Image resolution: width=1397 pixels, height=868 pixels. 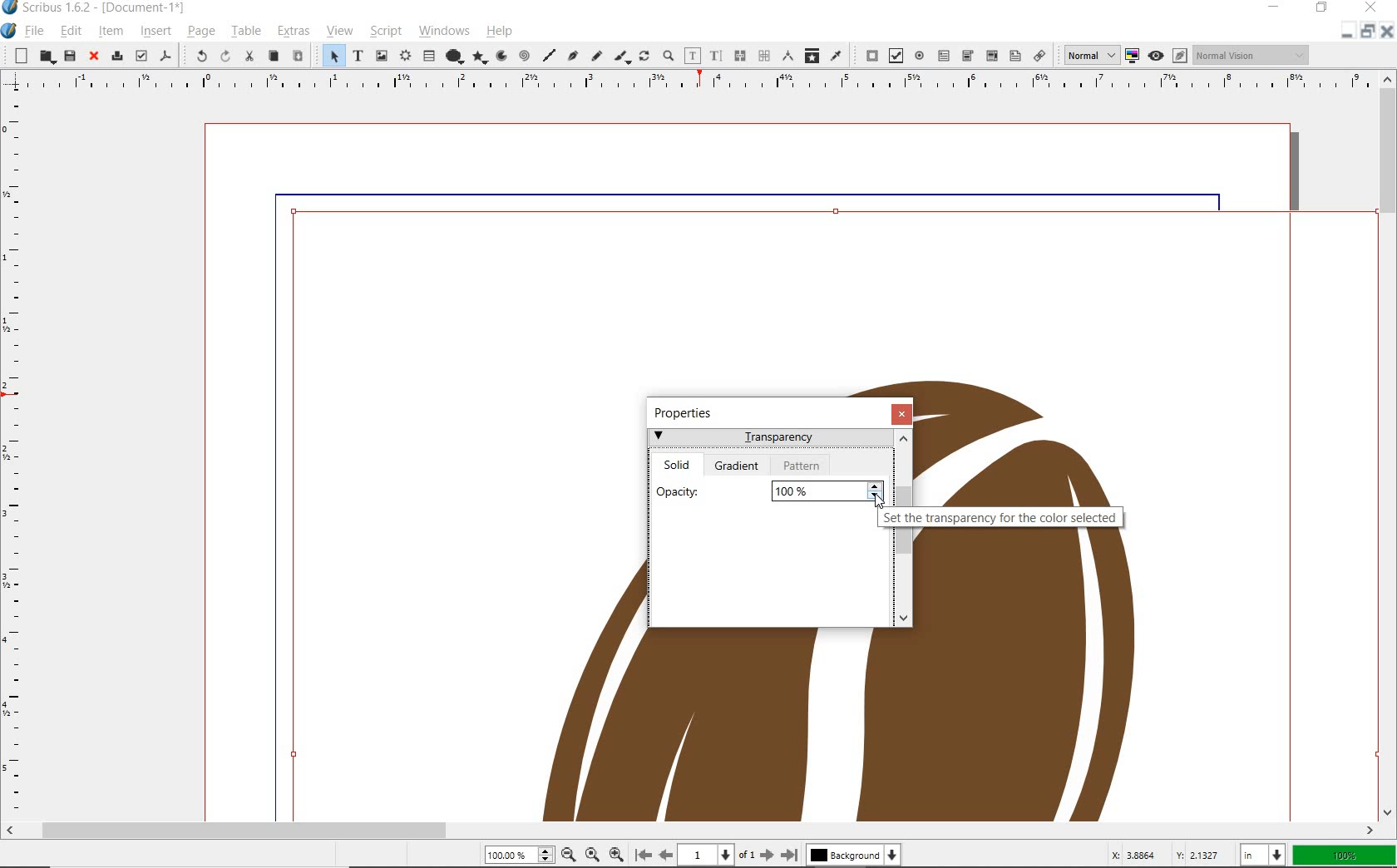 I want to click on save, so click(x=69, y=57).